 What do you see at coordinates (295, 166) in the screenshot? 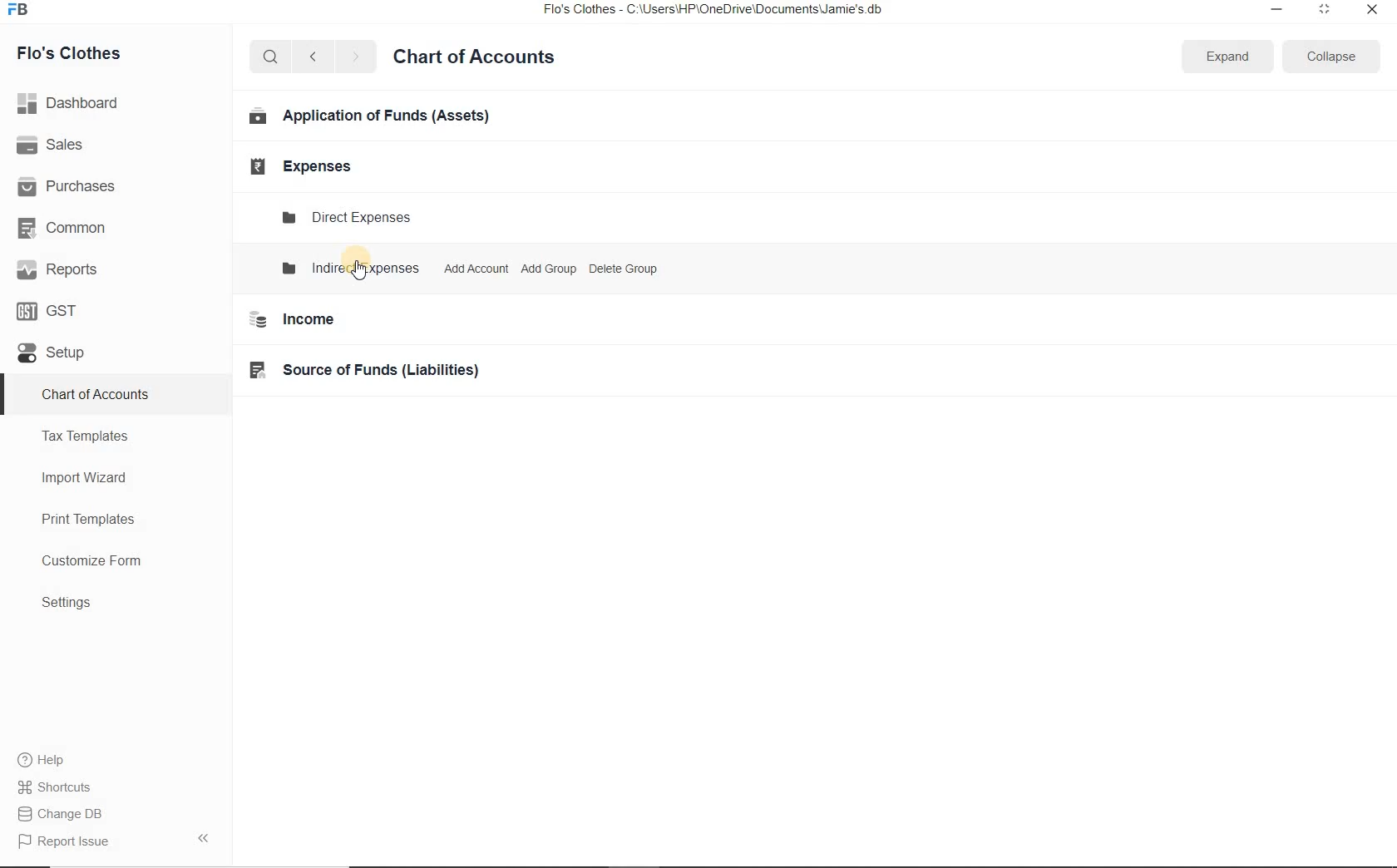
I see `Expenses` at bounding box center [295, 166].